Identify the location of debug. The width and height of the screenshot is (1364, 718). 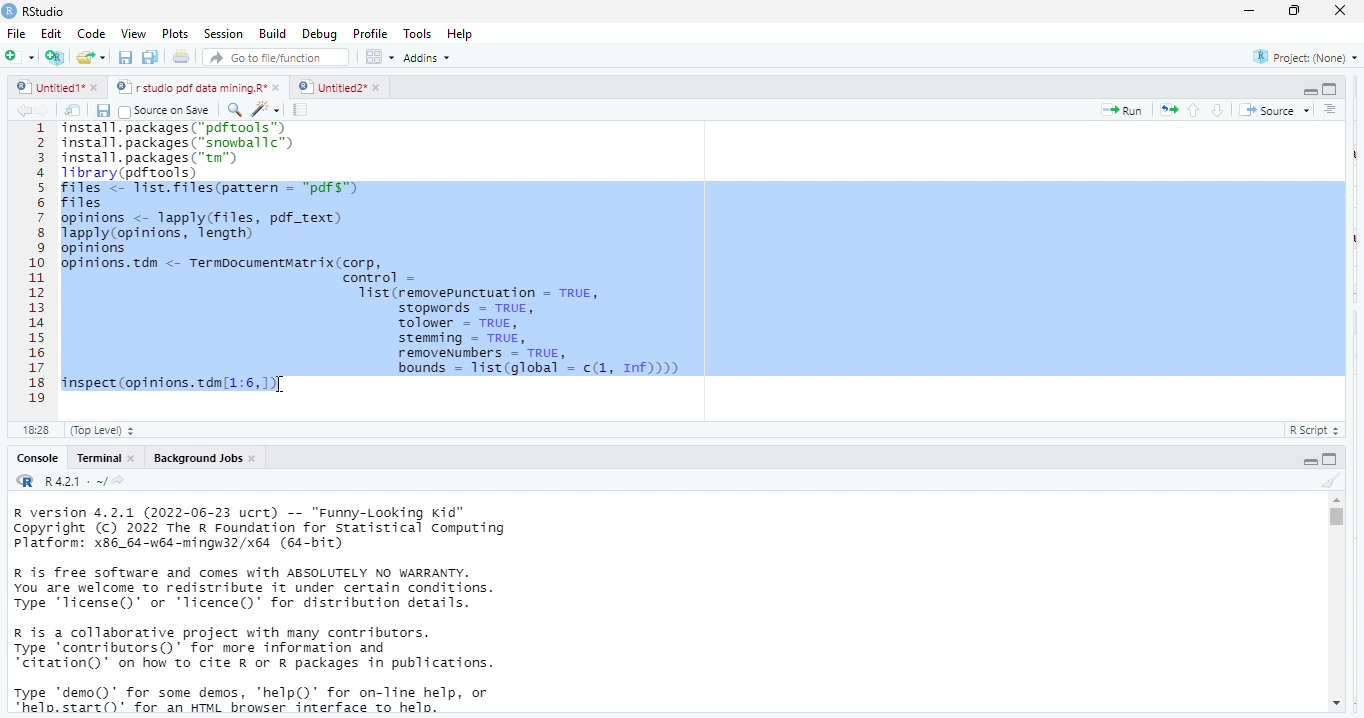
(317, 33).